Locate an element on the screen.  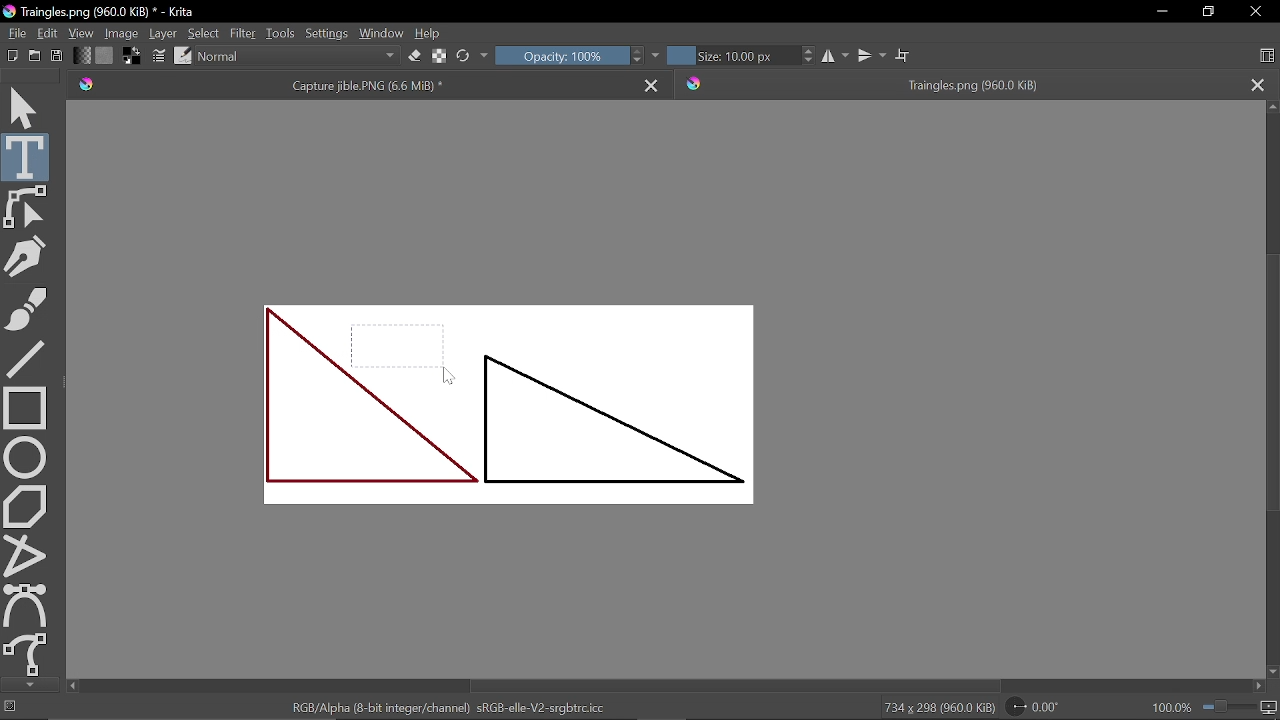
Close current tab is located at coordinates (654, 83).